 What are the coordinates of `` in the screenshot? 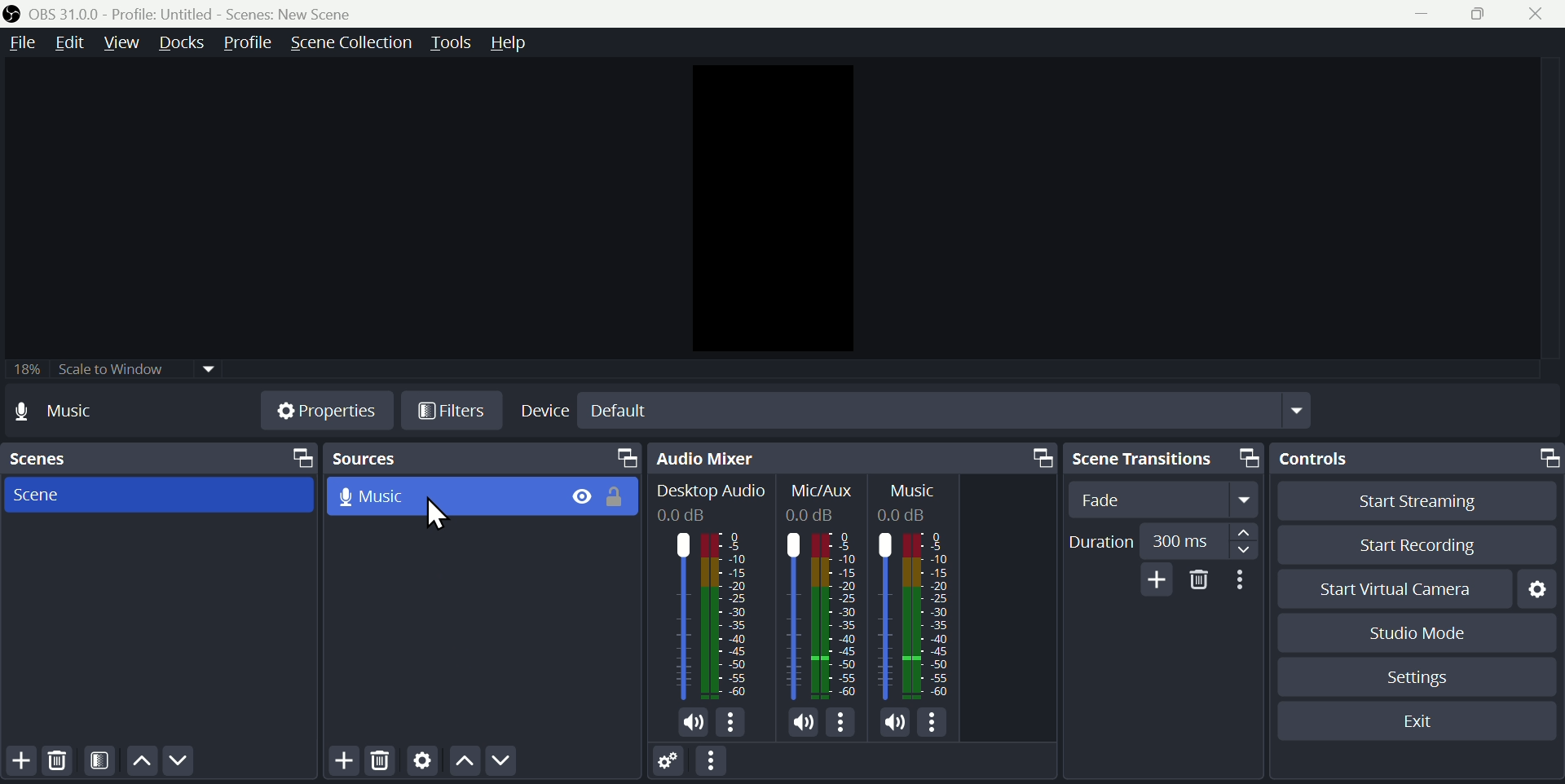 It's located at (911, 489).